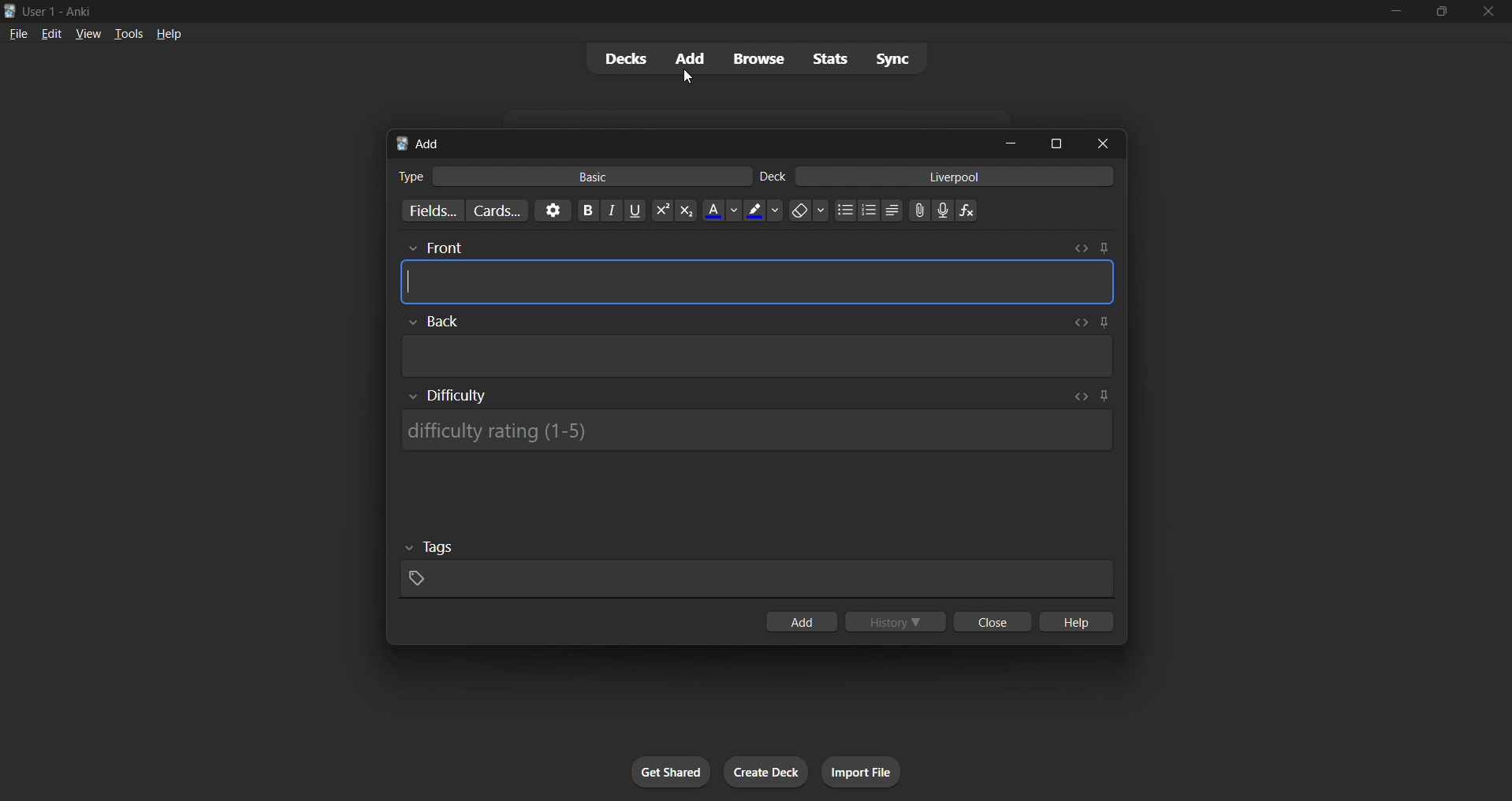 This screenshot has width=1512, height=801. Describe the element at coordinates (425, 212) in the screenshot. I see `customize fields` at that location.